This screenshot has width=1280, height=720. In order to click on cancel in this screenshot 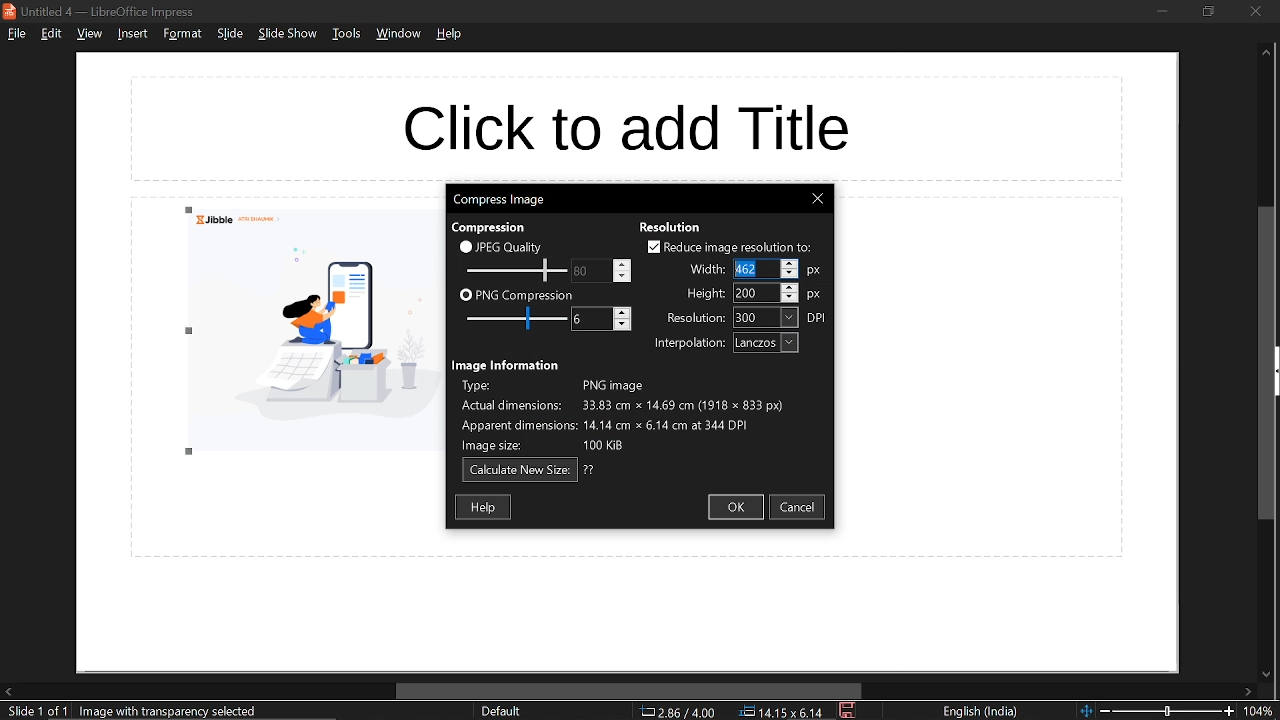, I will do `click(800, 507)`.